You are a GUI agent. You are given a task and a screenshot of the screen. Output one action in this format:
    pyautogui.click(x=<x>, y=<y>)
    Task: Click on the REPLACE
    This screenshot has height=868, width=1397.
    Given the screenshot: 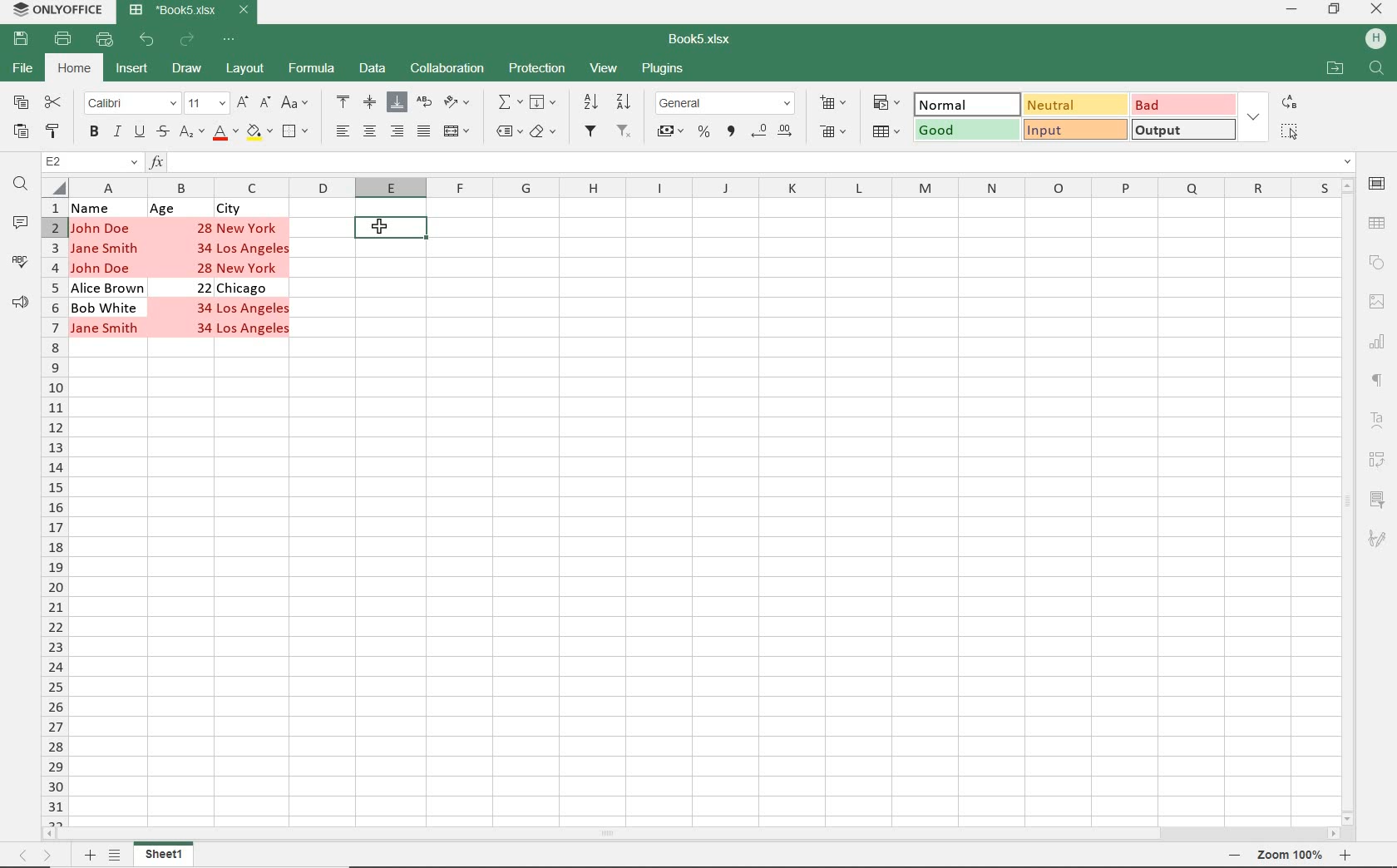 What is the action you would take?
    pyautogui.click(x=1290, y=102)
    